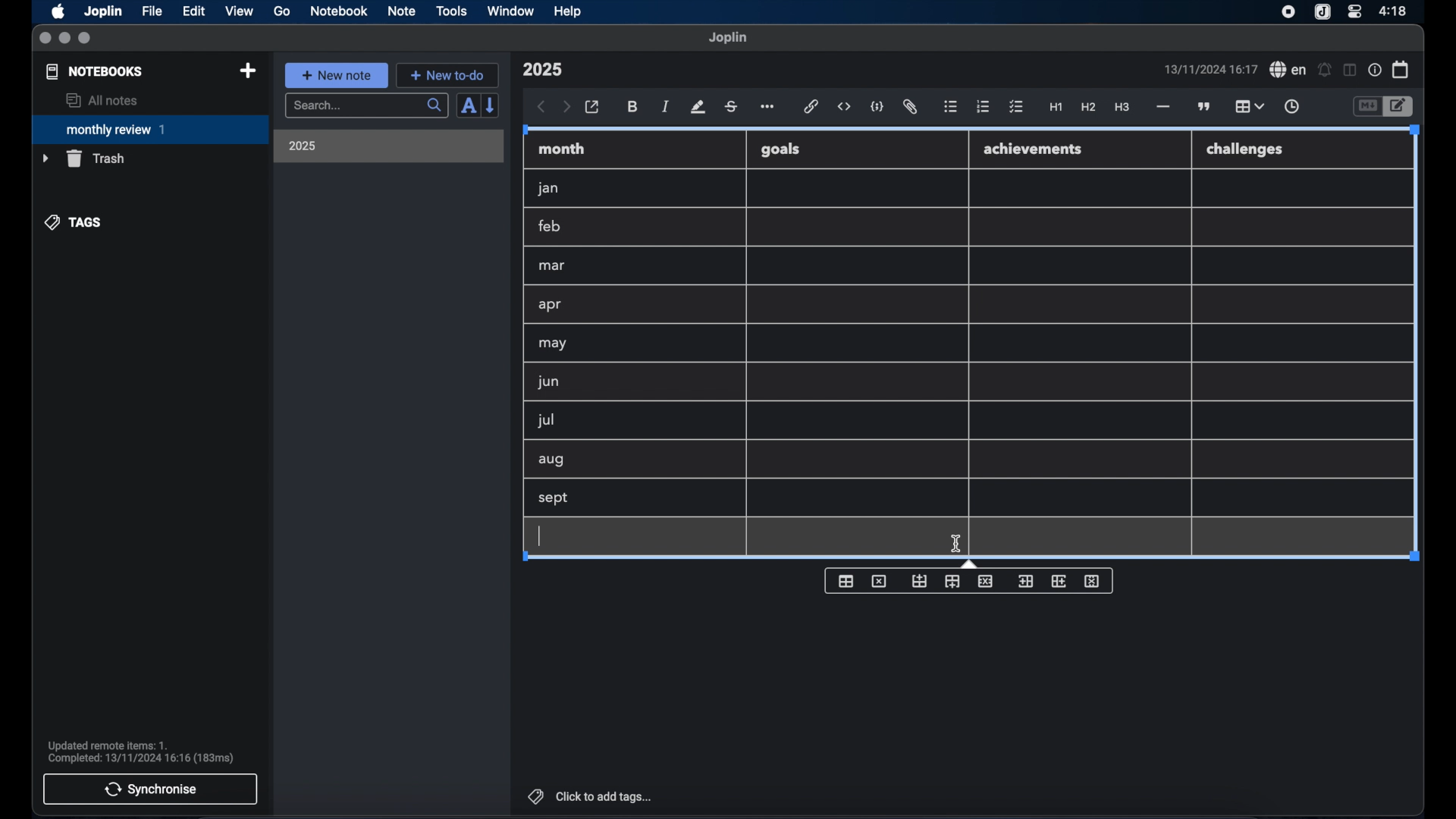  What do you see at coordinates (554, 499) in the screenshot?
I see `sept` at bounding box center [554, 499].